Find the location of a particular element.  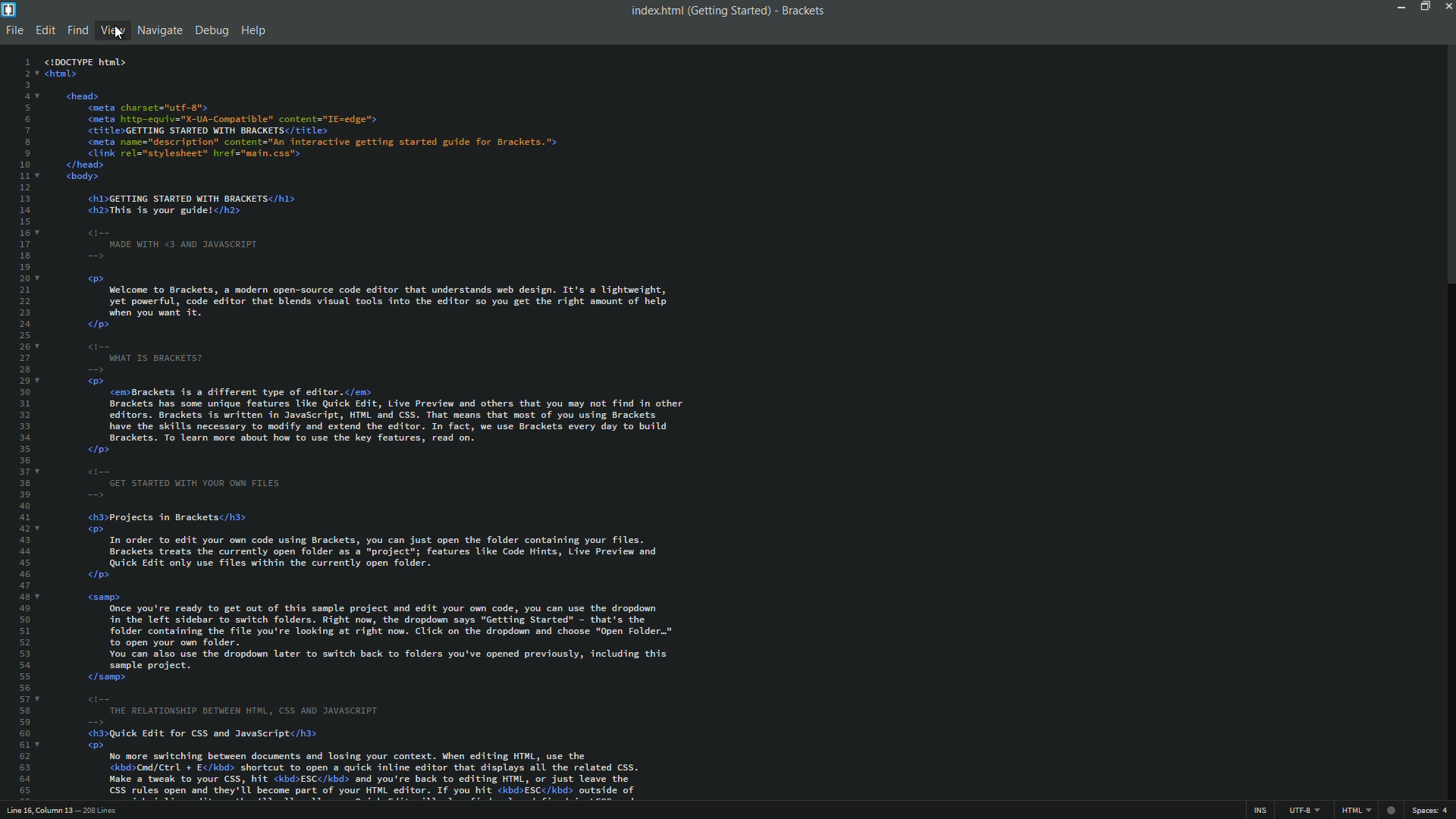

line numbers is located at coordinates (22, 428).